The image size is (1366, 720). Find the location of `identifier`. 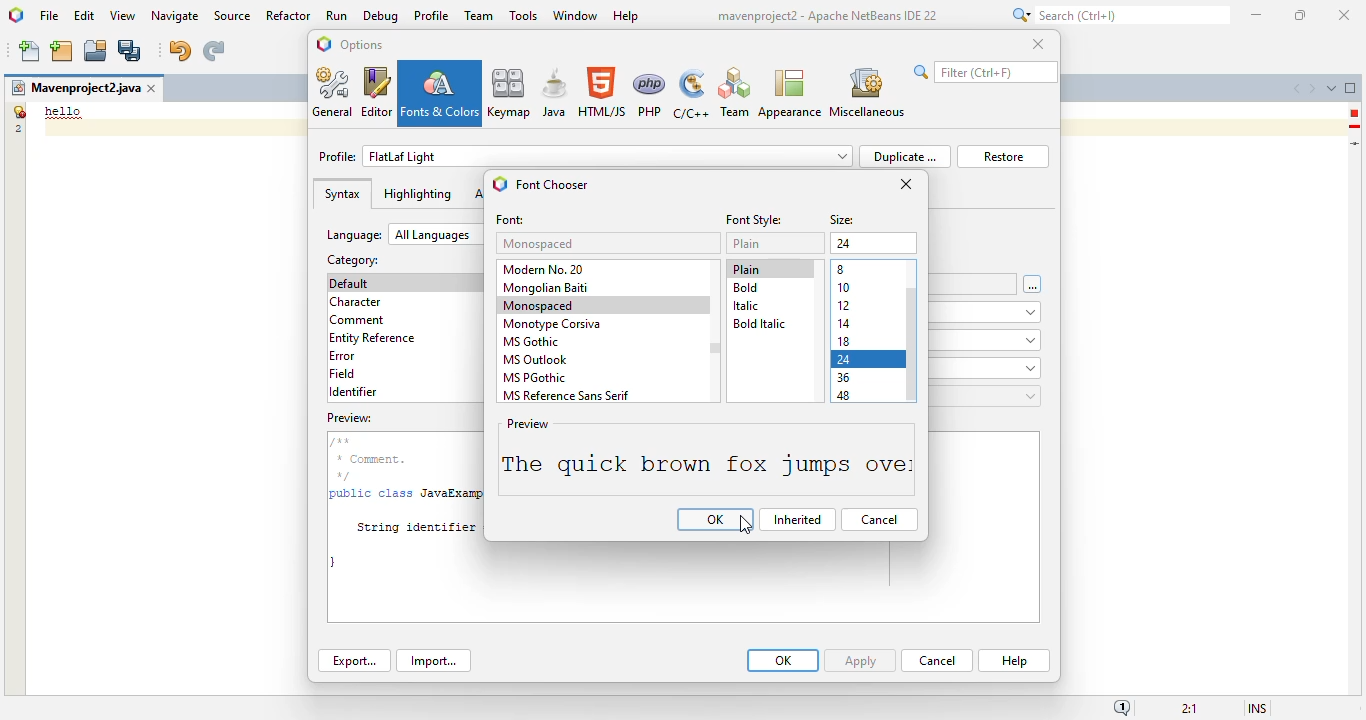

identifier is located at coordinates (353, 392).